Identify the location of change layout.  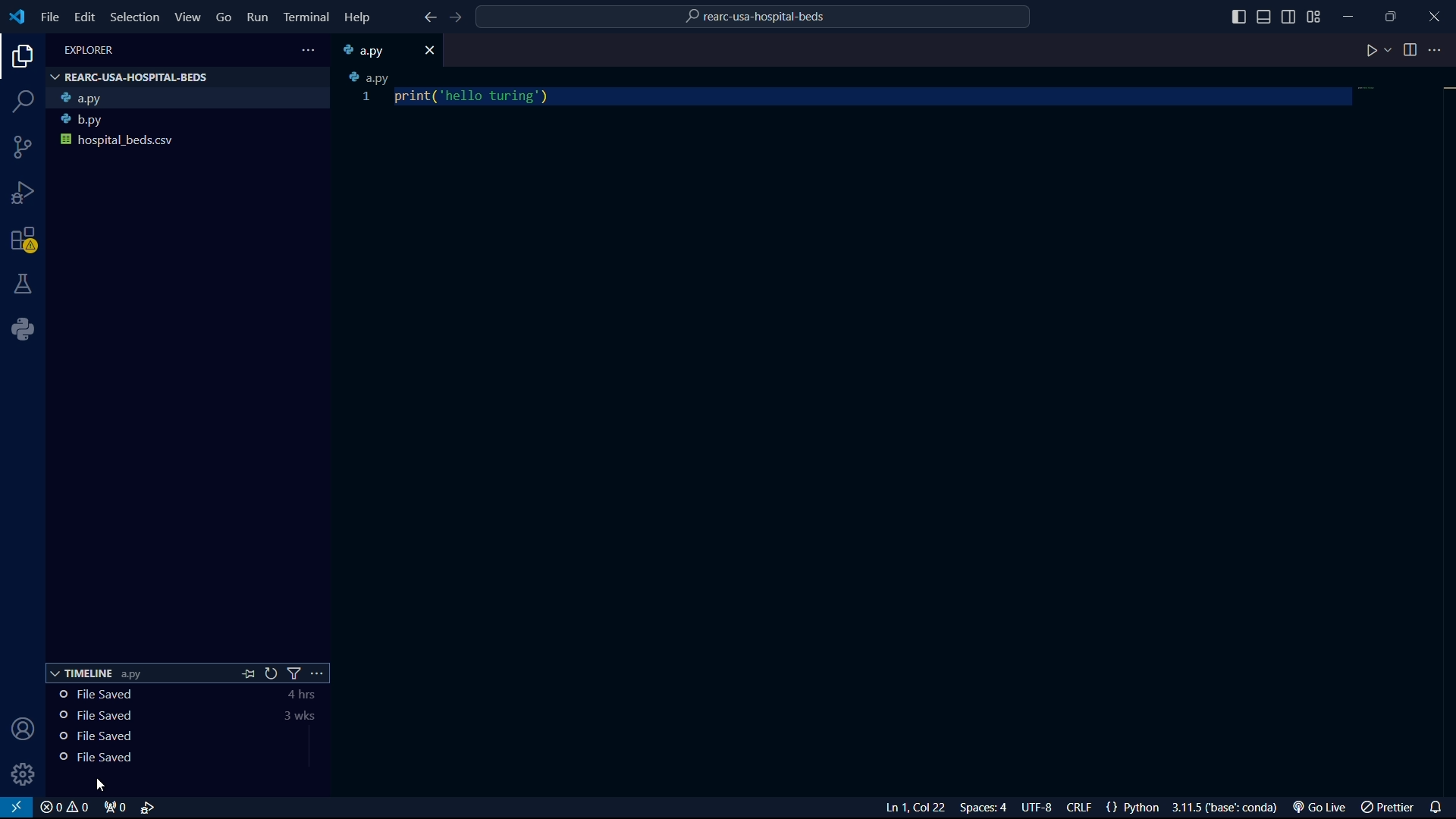
(1316, 16).